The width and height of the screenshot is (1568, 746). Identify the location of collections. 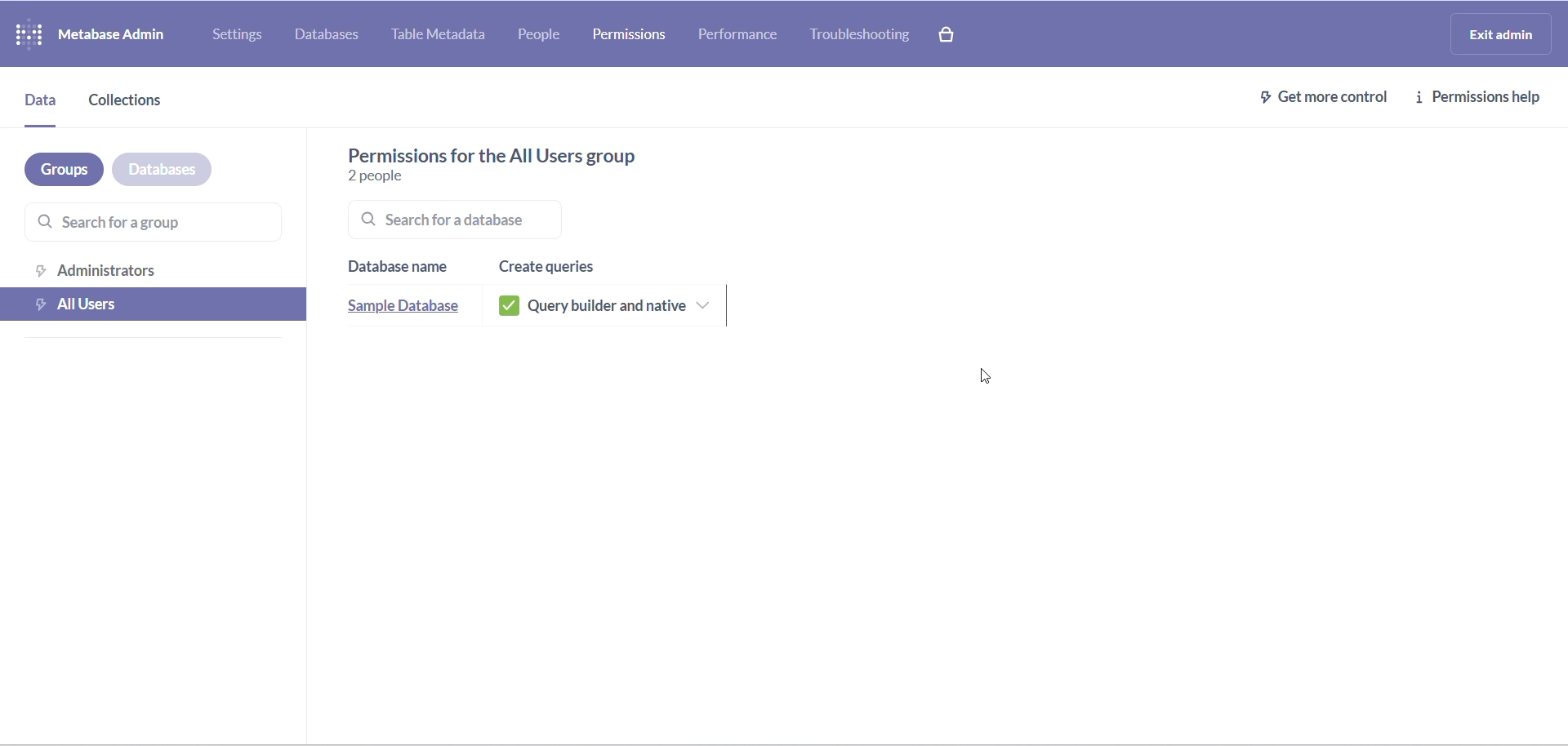
(139, 100).